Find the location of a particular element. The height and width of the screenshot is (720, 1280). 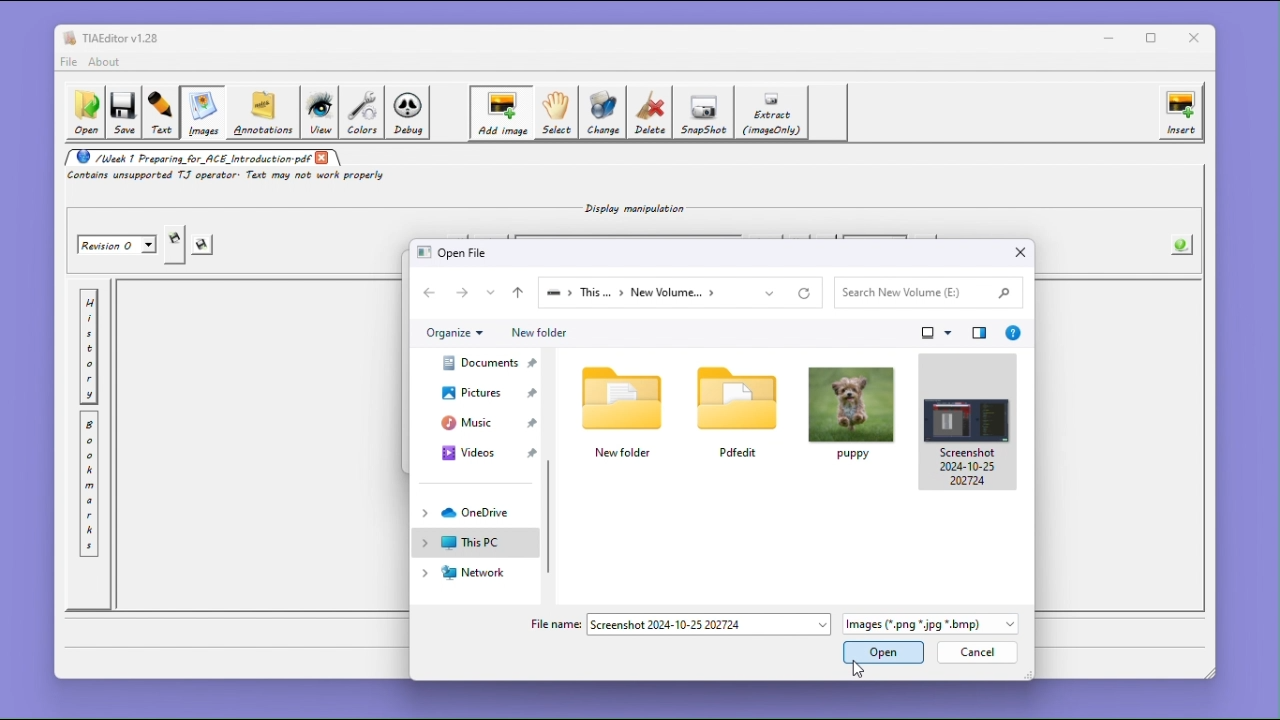

vertical scroll bar is located at coordinates (552, 516).